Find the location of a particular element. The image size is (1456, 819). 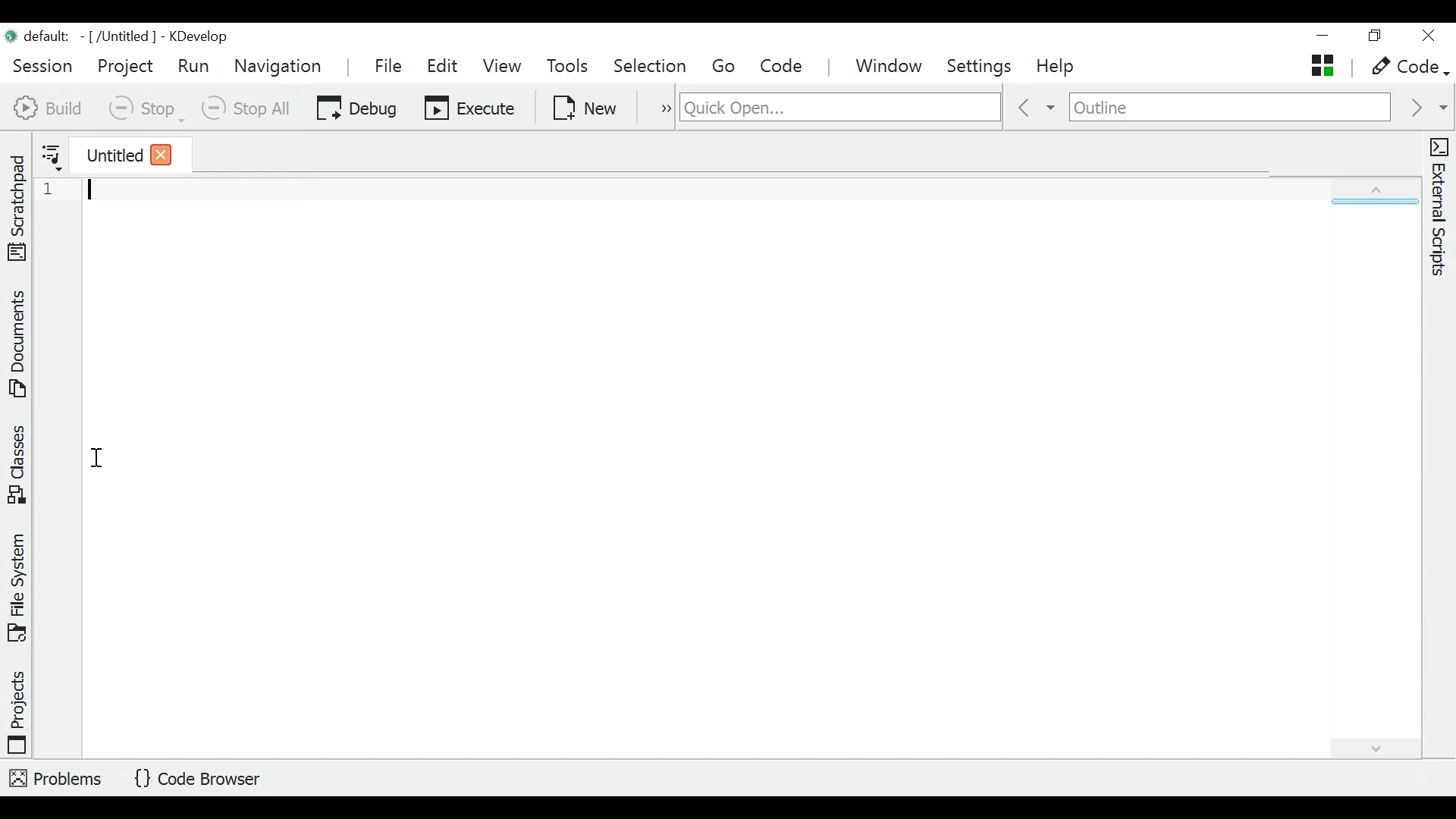

Settings is located at coordinates (981, 68).